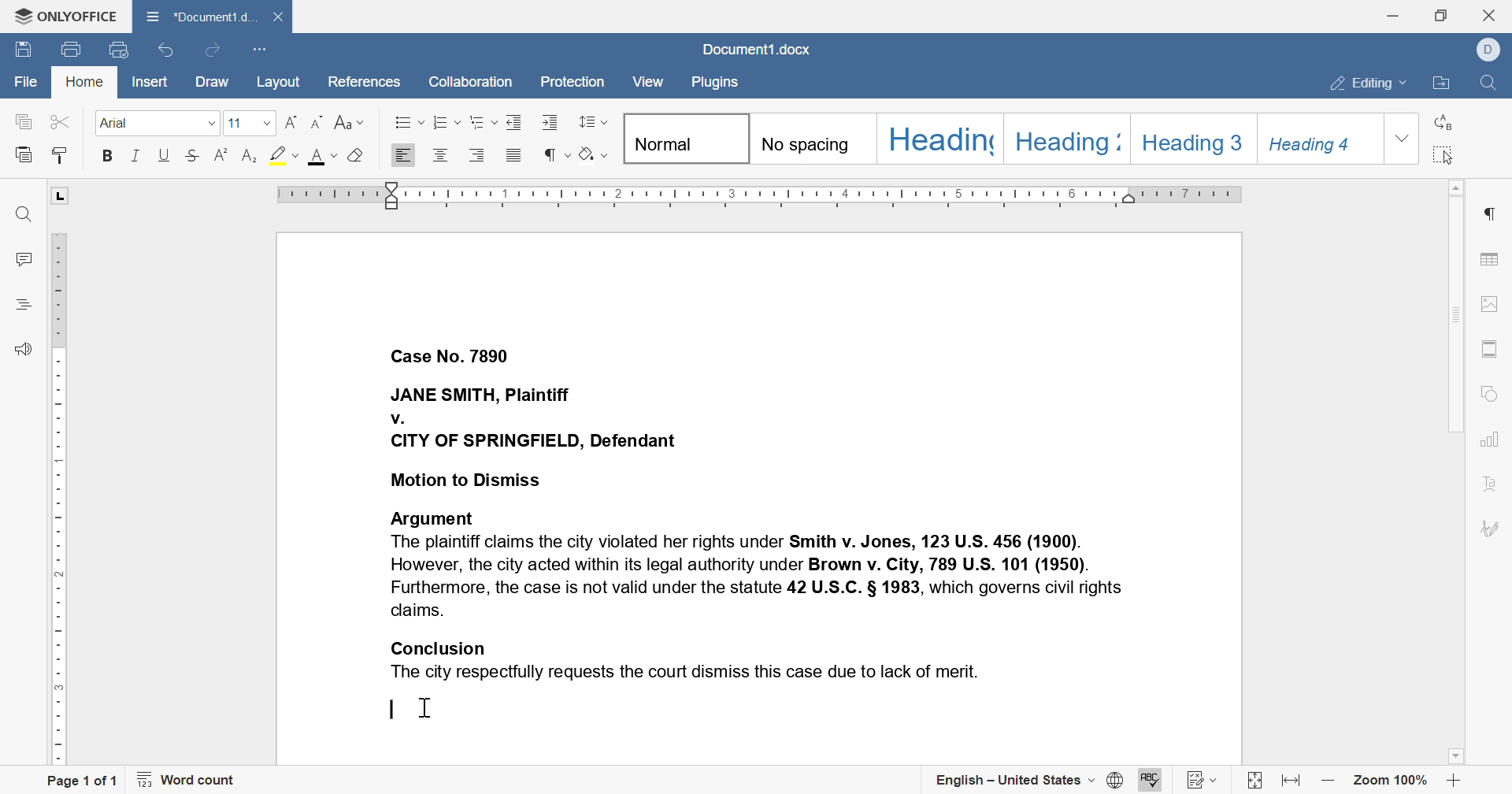 This screenshot has height=794, width=1512. I want to click on decrement font size, so click(320, 121).